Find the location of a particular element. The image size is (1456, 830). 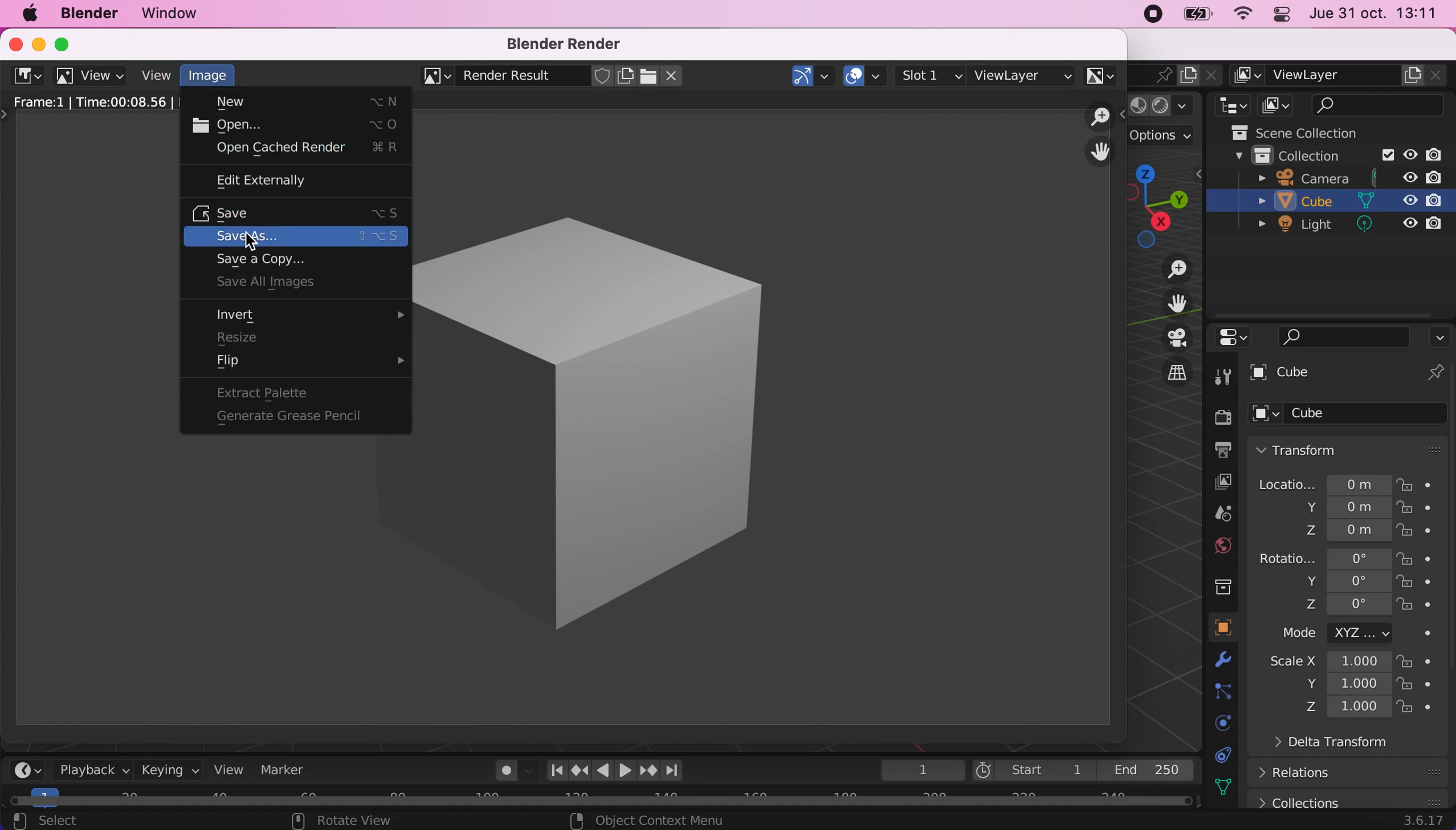

open cached render is located at coordinates (307, 149).